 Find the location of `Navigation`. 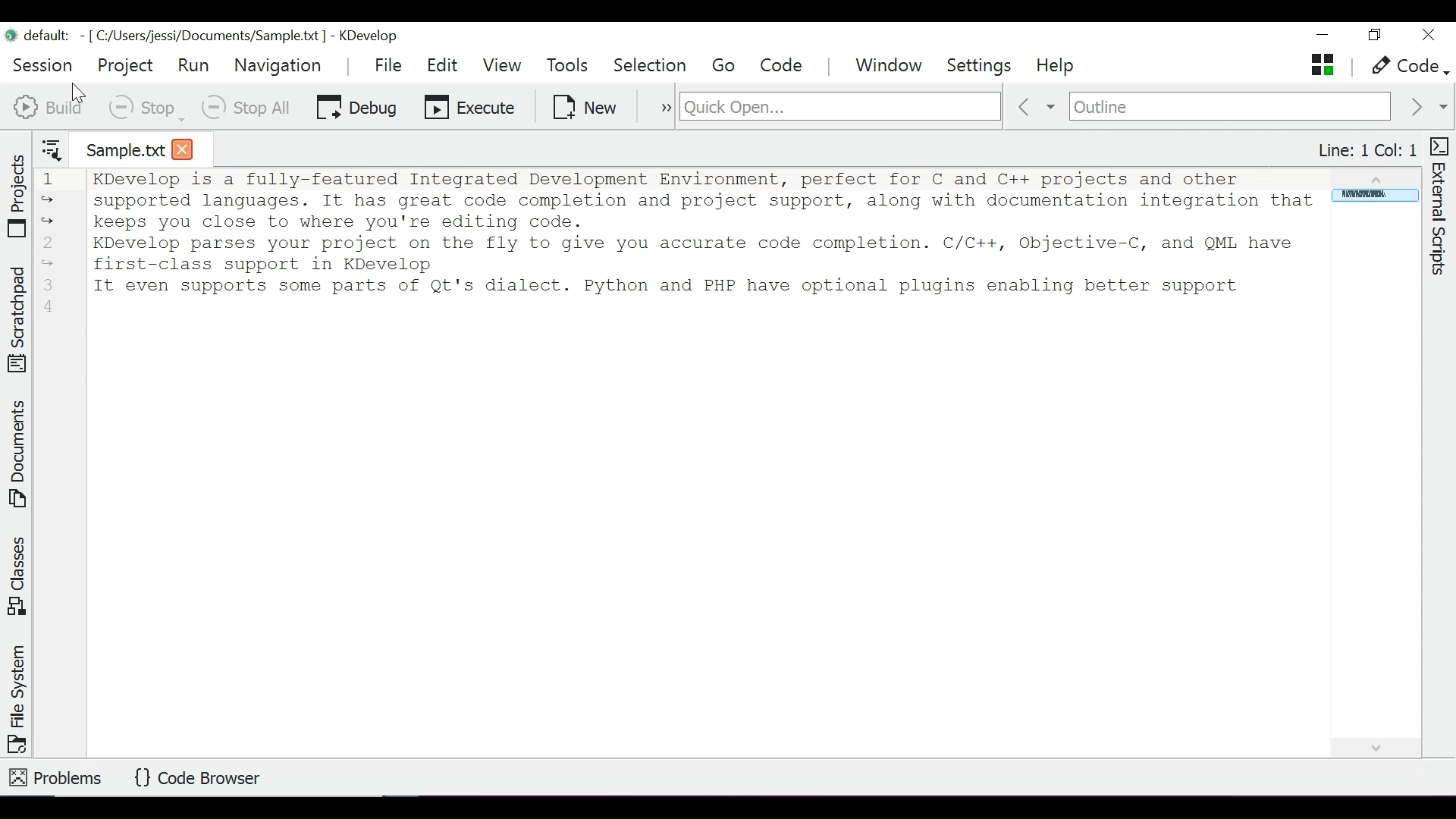

Navigation is located at coordinates (281, 67).